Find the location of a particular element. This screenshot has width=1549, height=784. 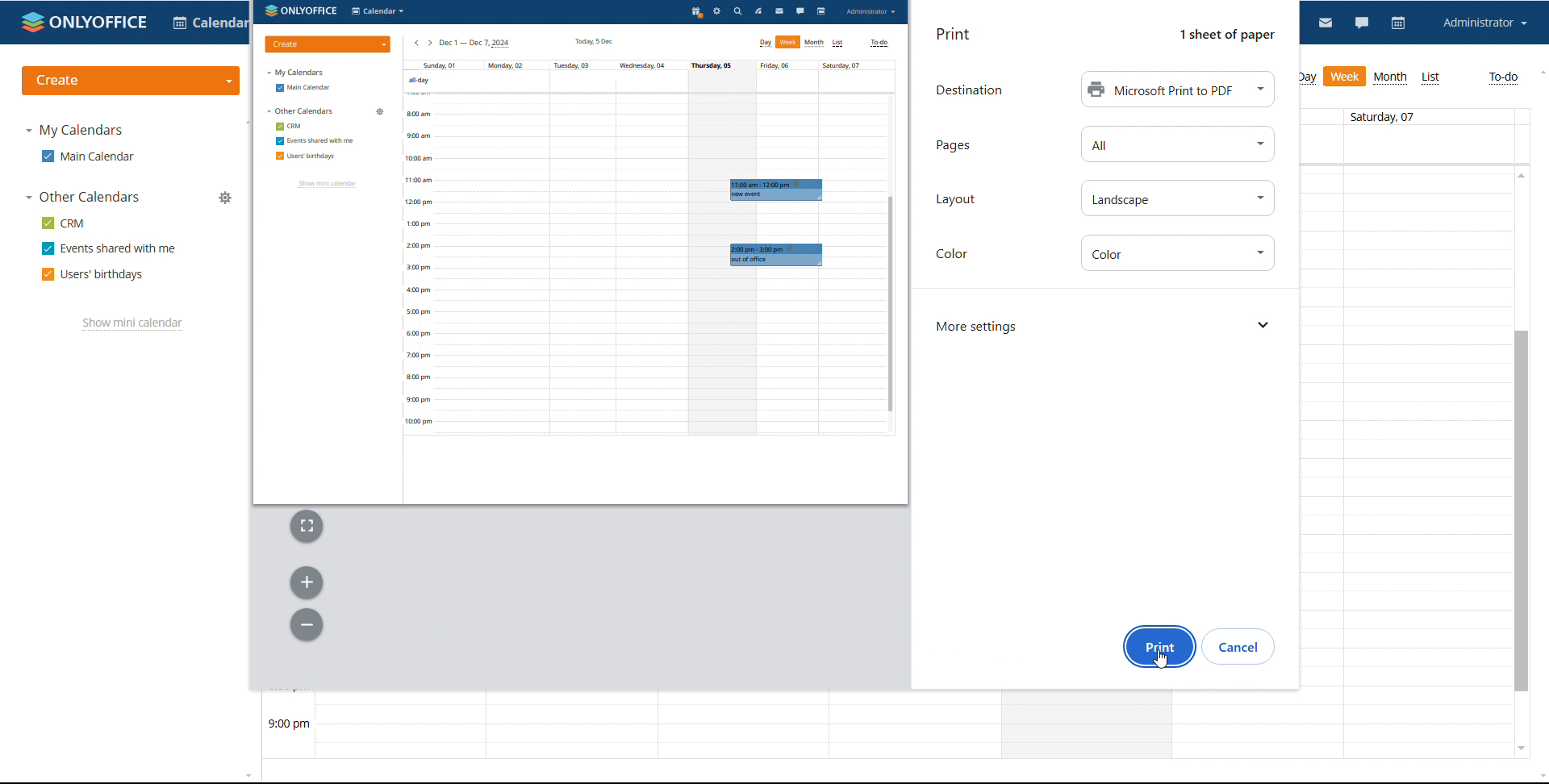

week view is located at coordinates (1346, 77).